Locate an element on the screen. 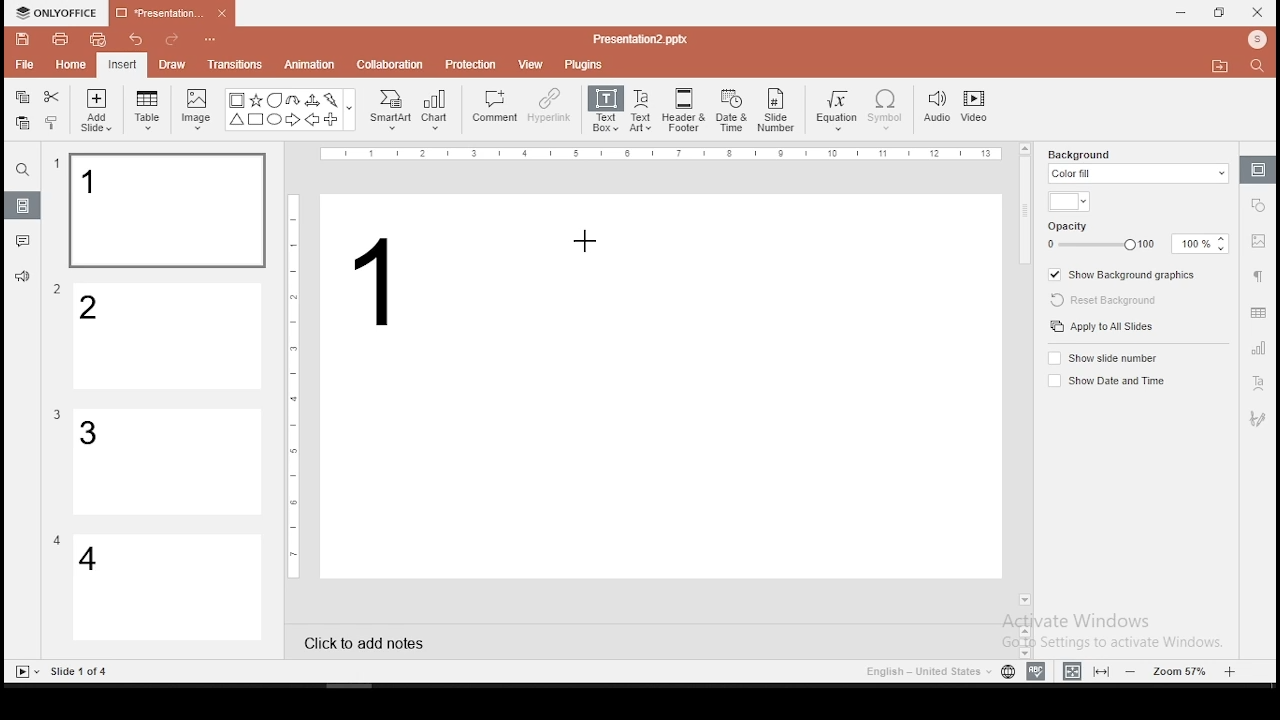  reset background is located at coordinates (1101, 301).